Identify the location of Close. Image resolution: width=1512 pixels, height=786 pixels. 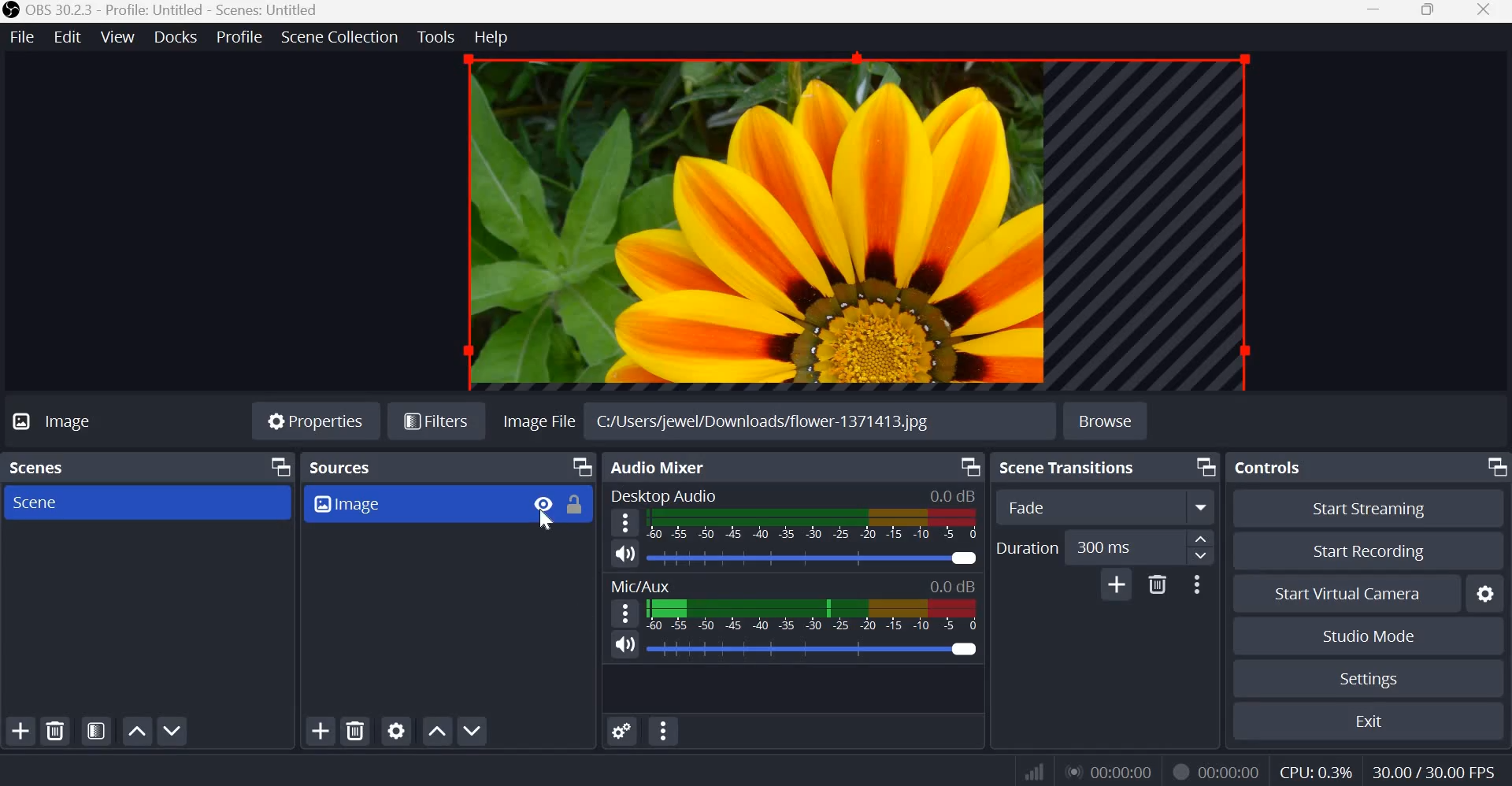
(1488, 13).